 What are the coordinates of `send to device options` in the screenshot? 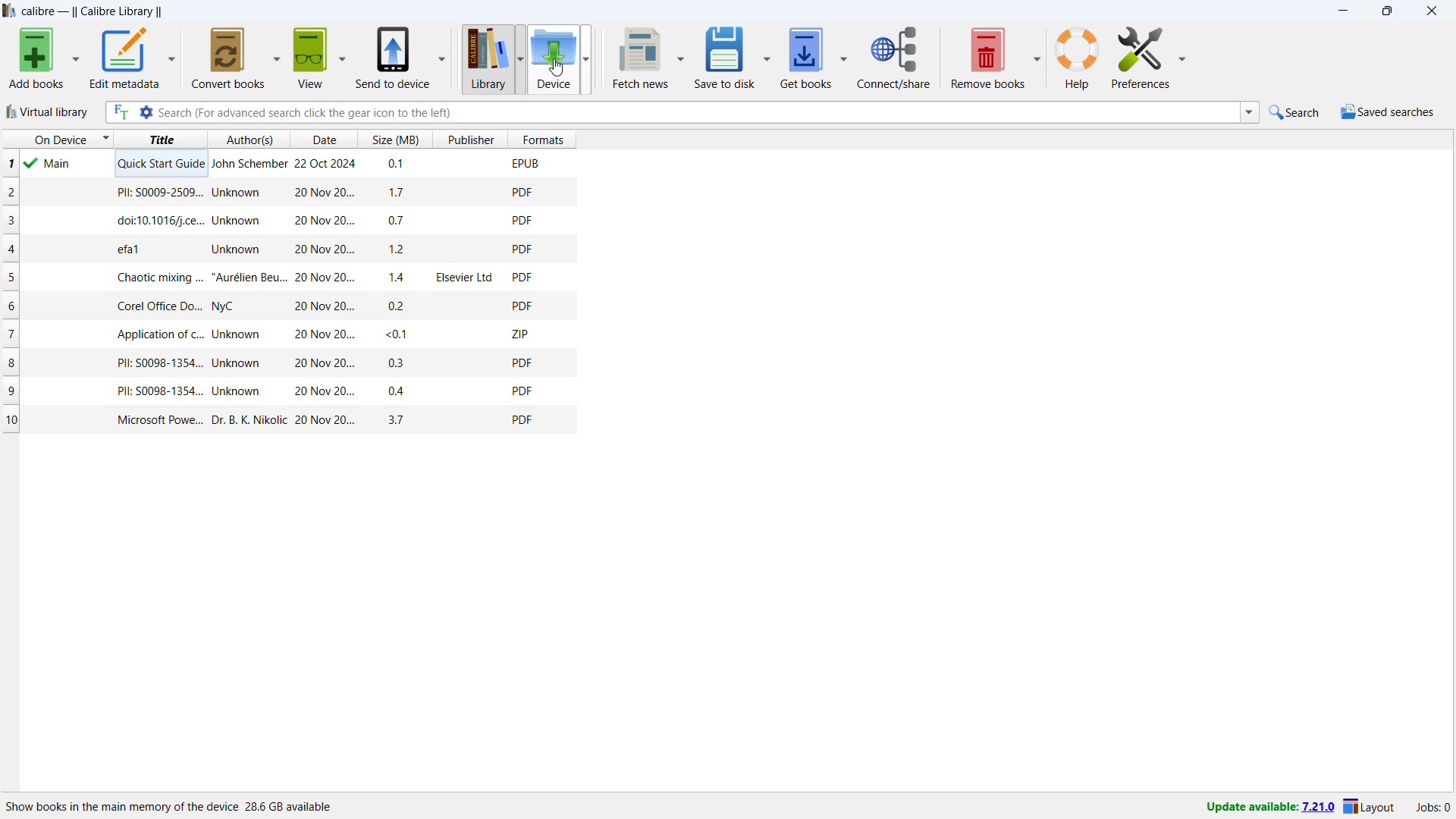 It's located at (441, 58).